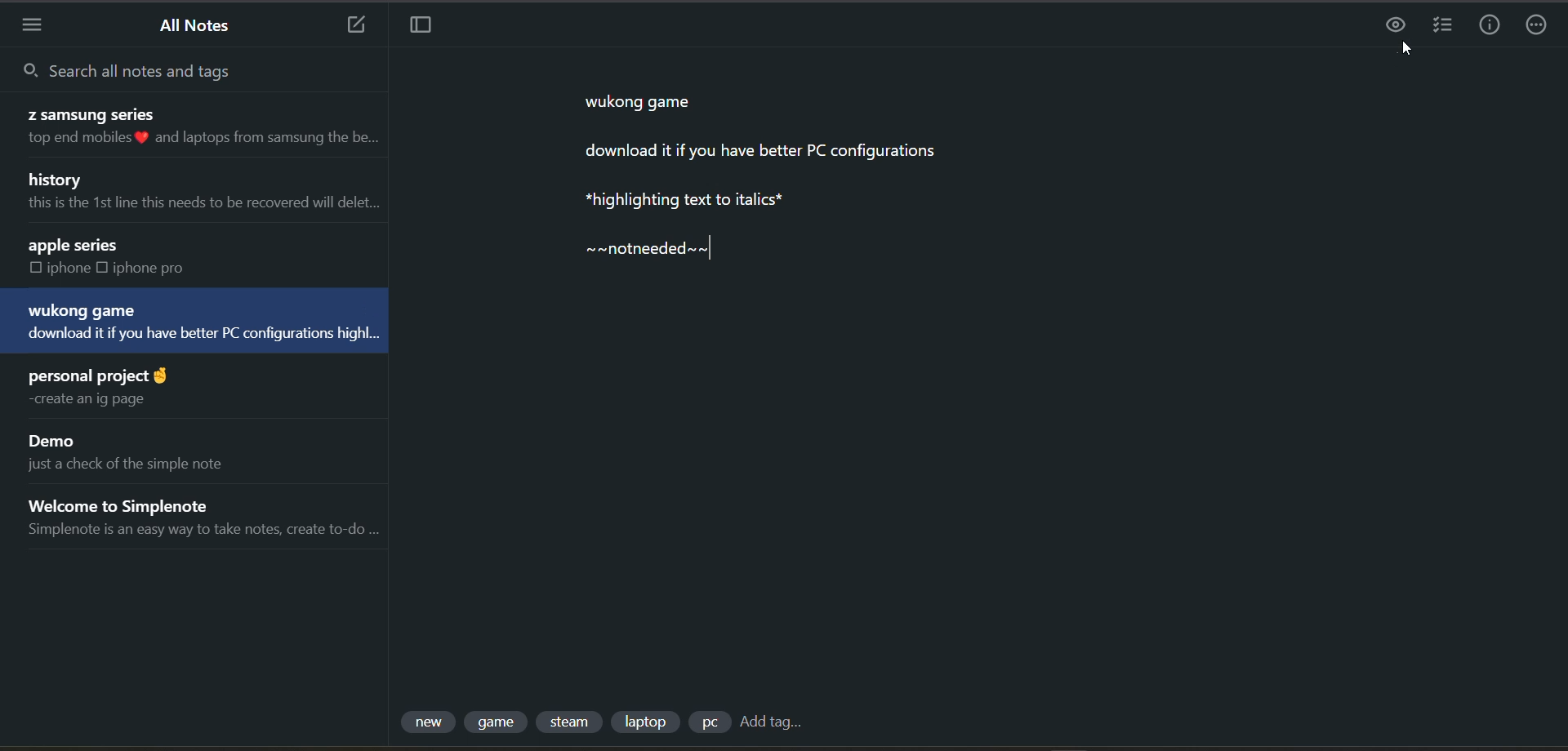  I want to click on cursor, so click(1404, 52).